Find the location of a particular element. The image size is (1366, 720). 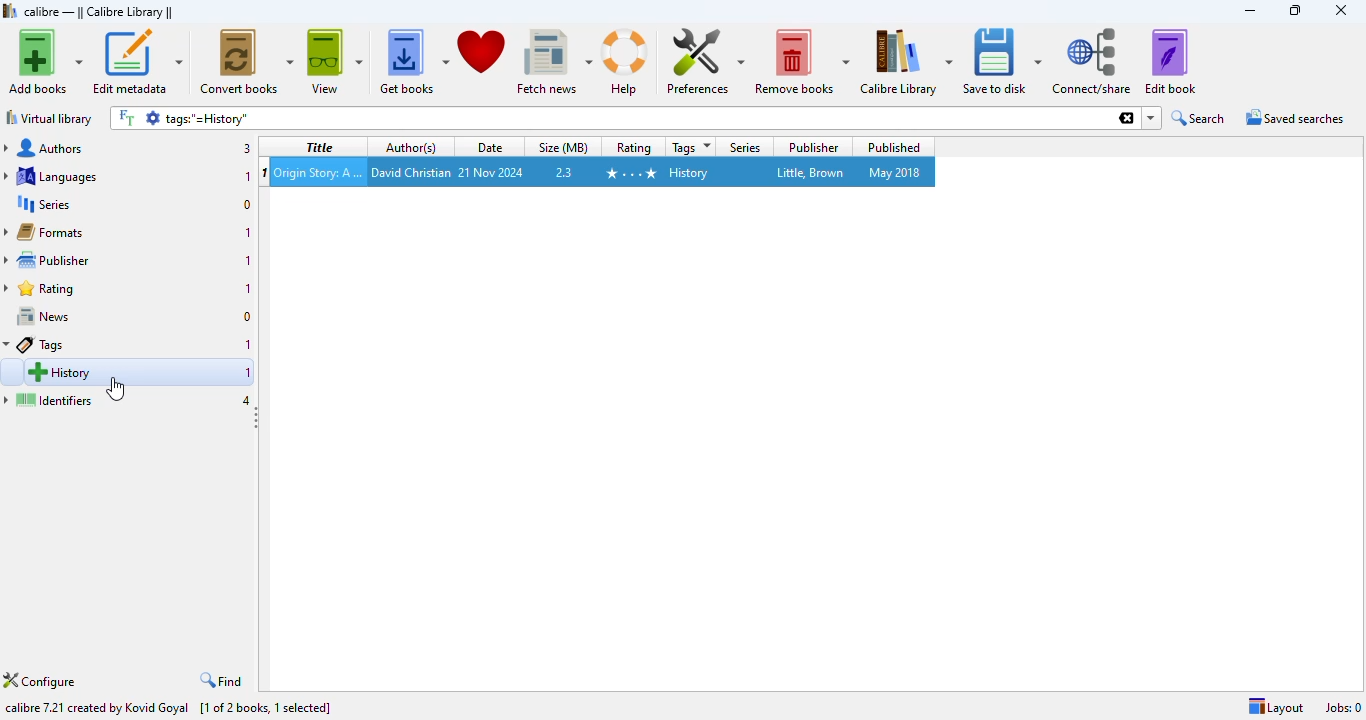

minimize is located at coordinates (1248, 10).